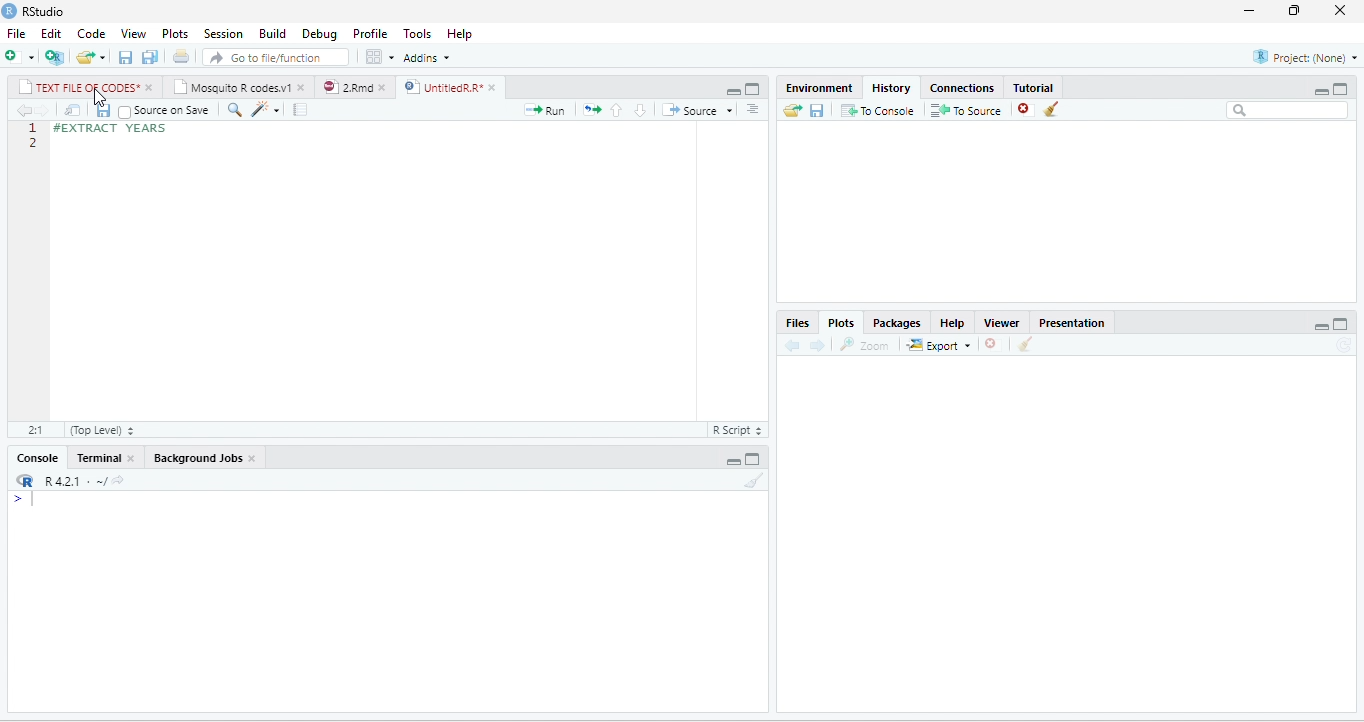 The width and height of the screenshot is (1364, 722). I want to click on Packages, so click(898, 323).